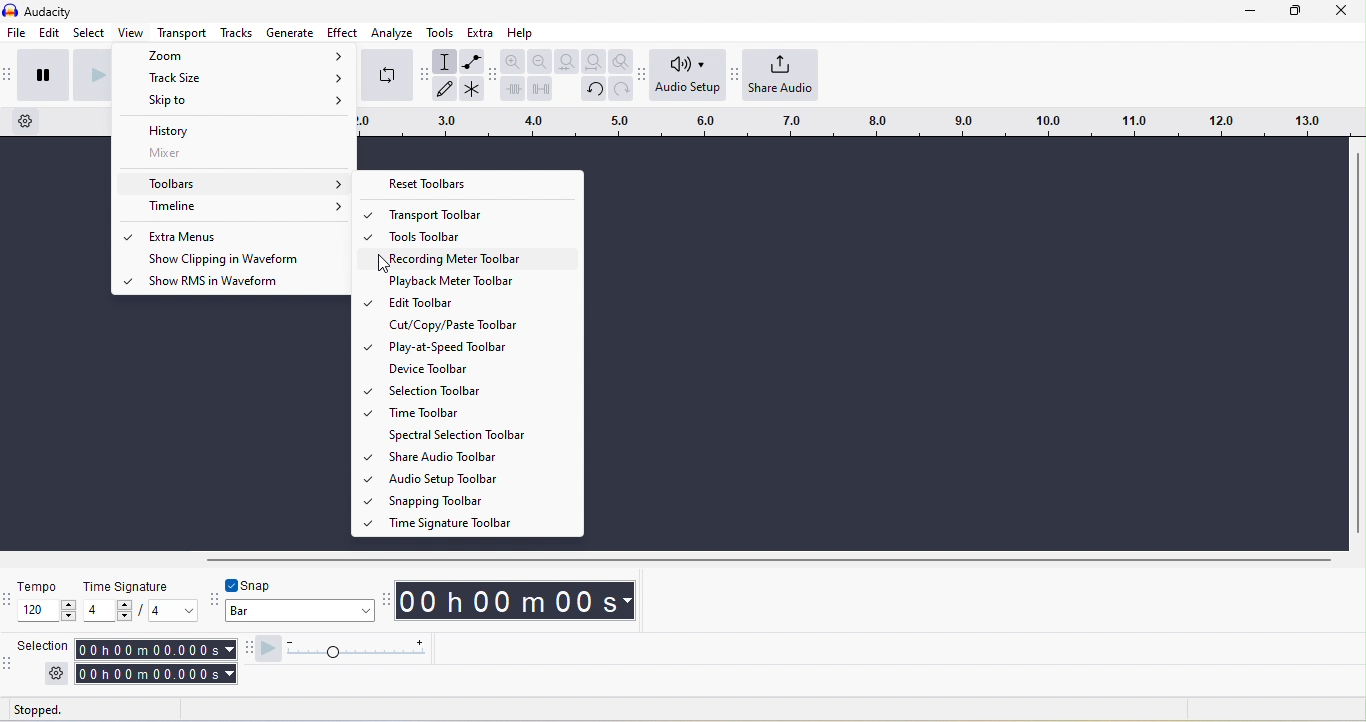 The width and height of the screenshot is (1366, 722). What do you see at coordinates (9, 76) in the screenshot?
I see `audacity transport toolbar` at bounding box center [9, 76].